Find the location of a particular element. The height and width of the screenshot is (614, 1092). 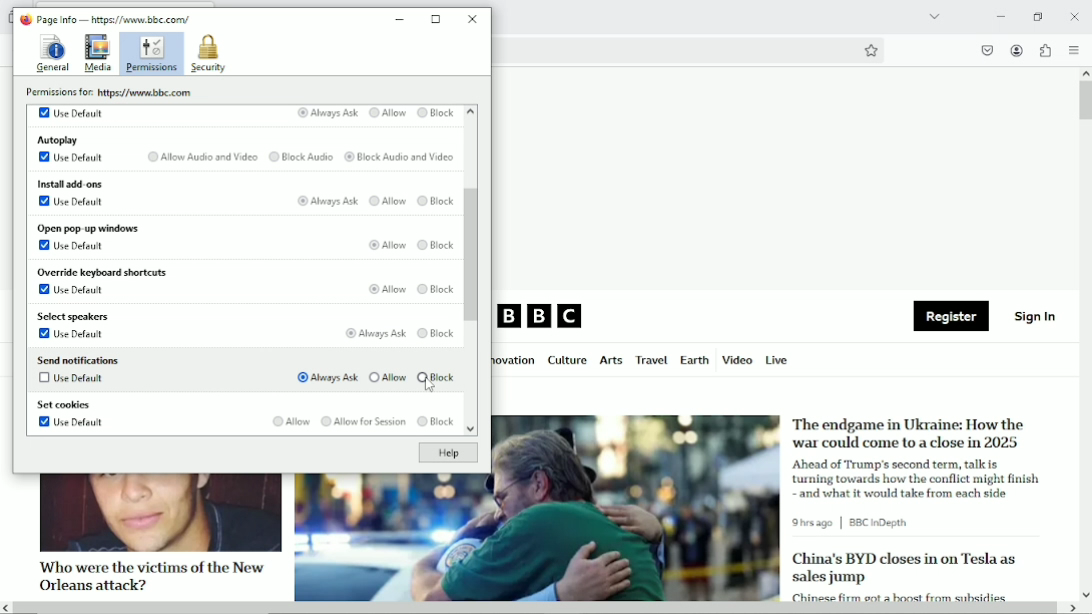

Ahead of Trump's second term, talk is turning towards how the conflict might finish and what it would take from each side is located at coordinates (919, 478).